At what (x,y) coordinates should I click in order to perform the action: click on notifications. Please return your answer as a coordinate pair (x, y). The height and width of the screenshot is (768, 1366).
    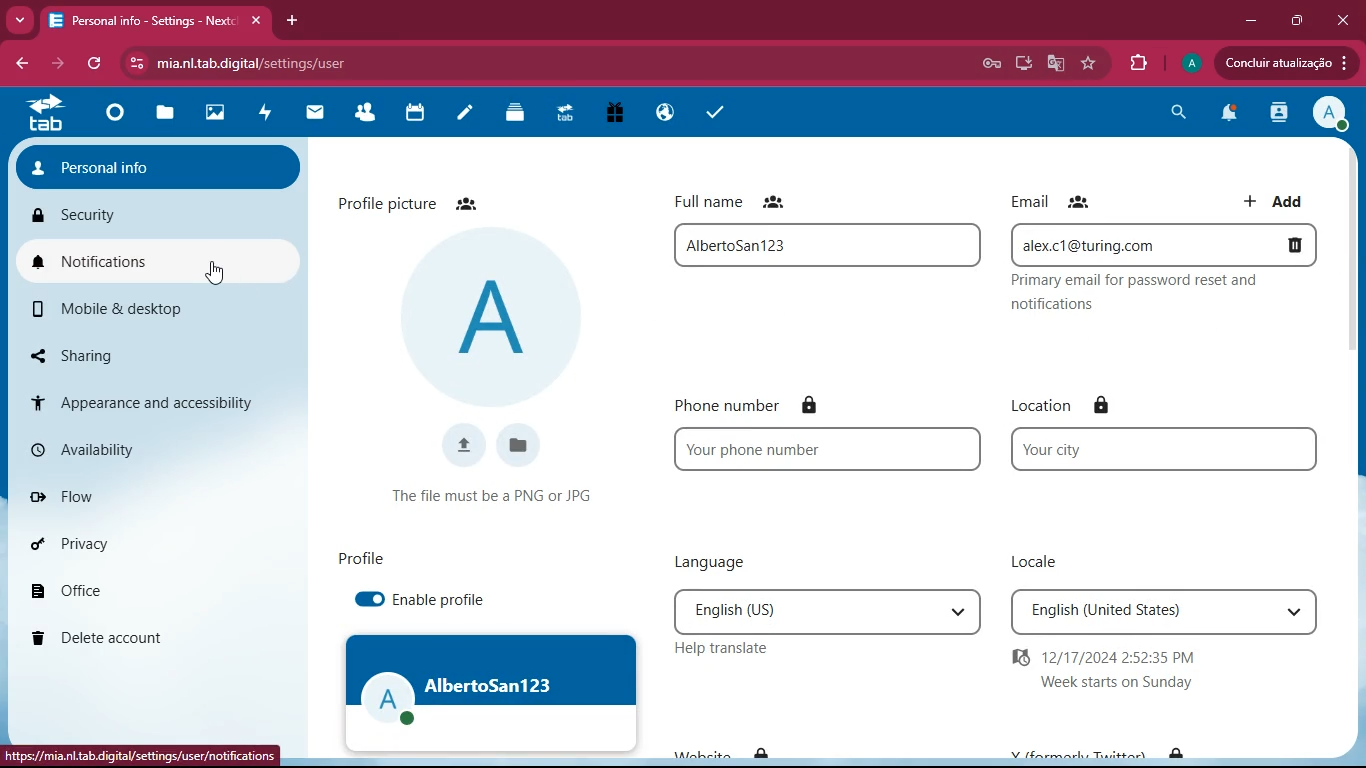
    Looking at the image, I should click on (147, 262).